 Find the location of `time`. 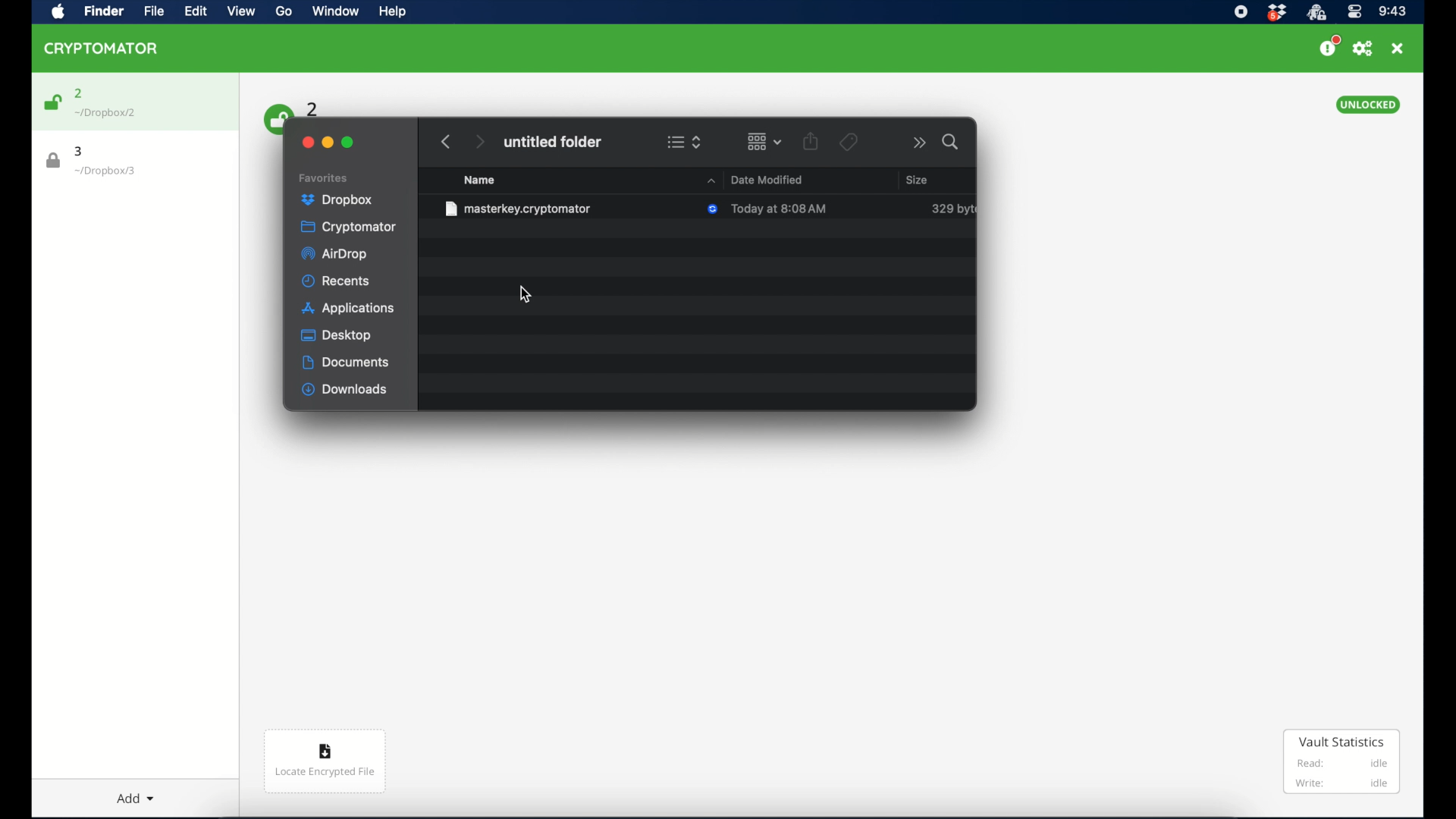

time is located at coordinates (1392, 12).